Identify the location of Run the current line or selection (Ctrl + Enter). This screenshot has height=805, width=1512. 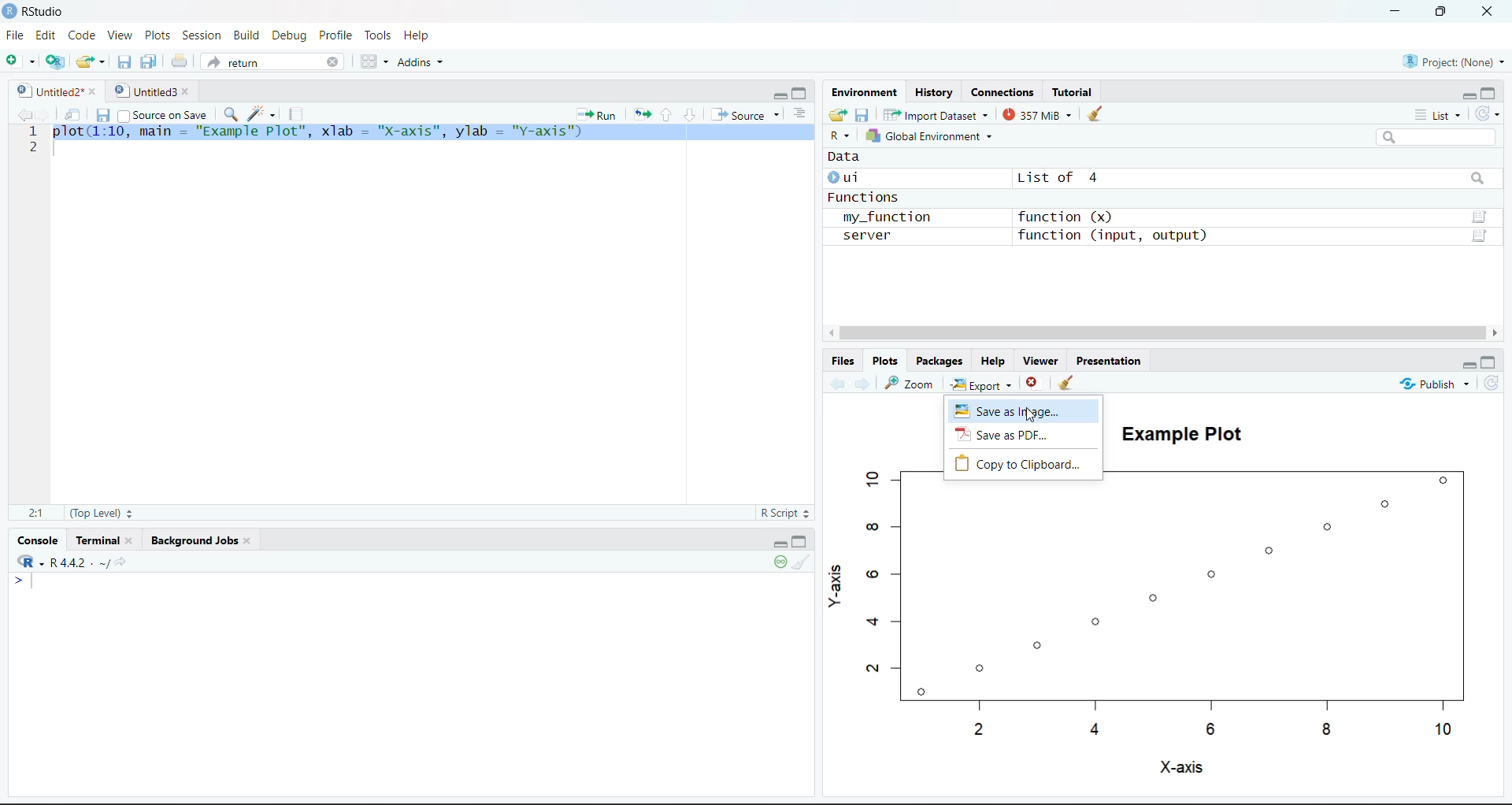
(596, 113).